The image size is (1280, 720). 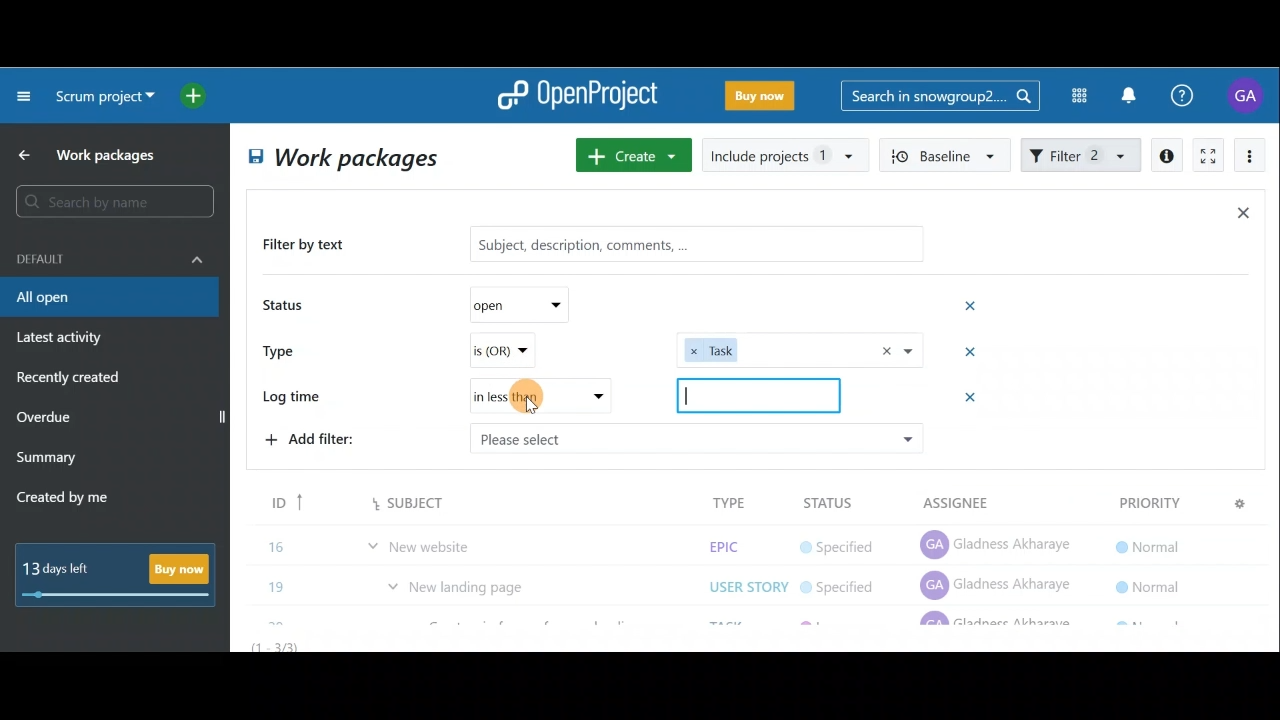 What do you see at coordinates (1193, 96) in the screenshot?
I see `Help` at bounding box center [1193, 96].